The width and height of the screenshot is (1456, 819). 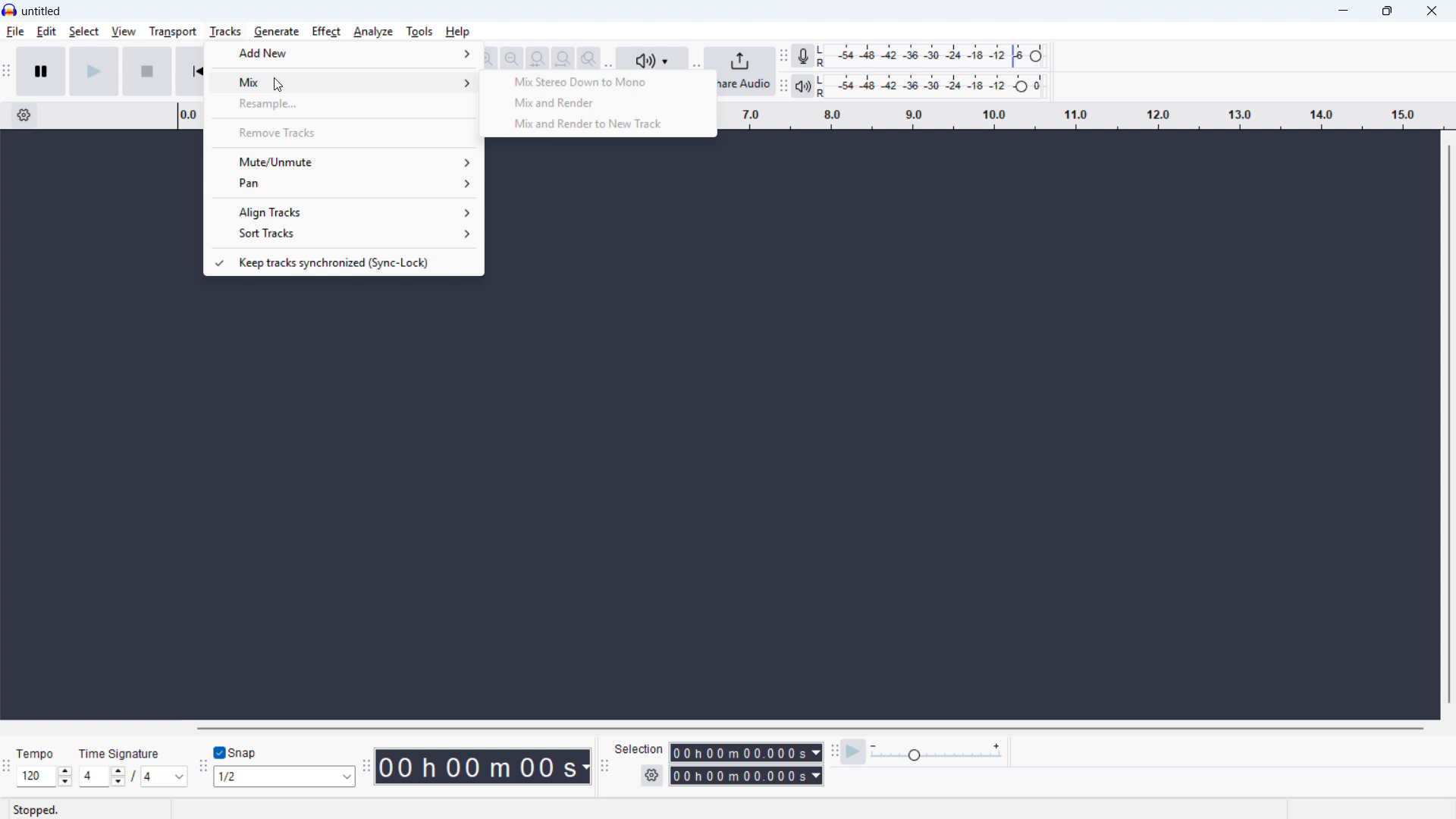 What do you see at coordinates (343, 162) in the screenshot?
I see `Mute/unmute` at bounding box center [343, 162].